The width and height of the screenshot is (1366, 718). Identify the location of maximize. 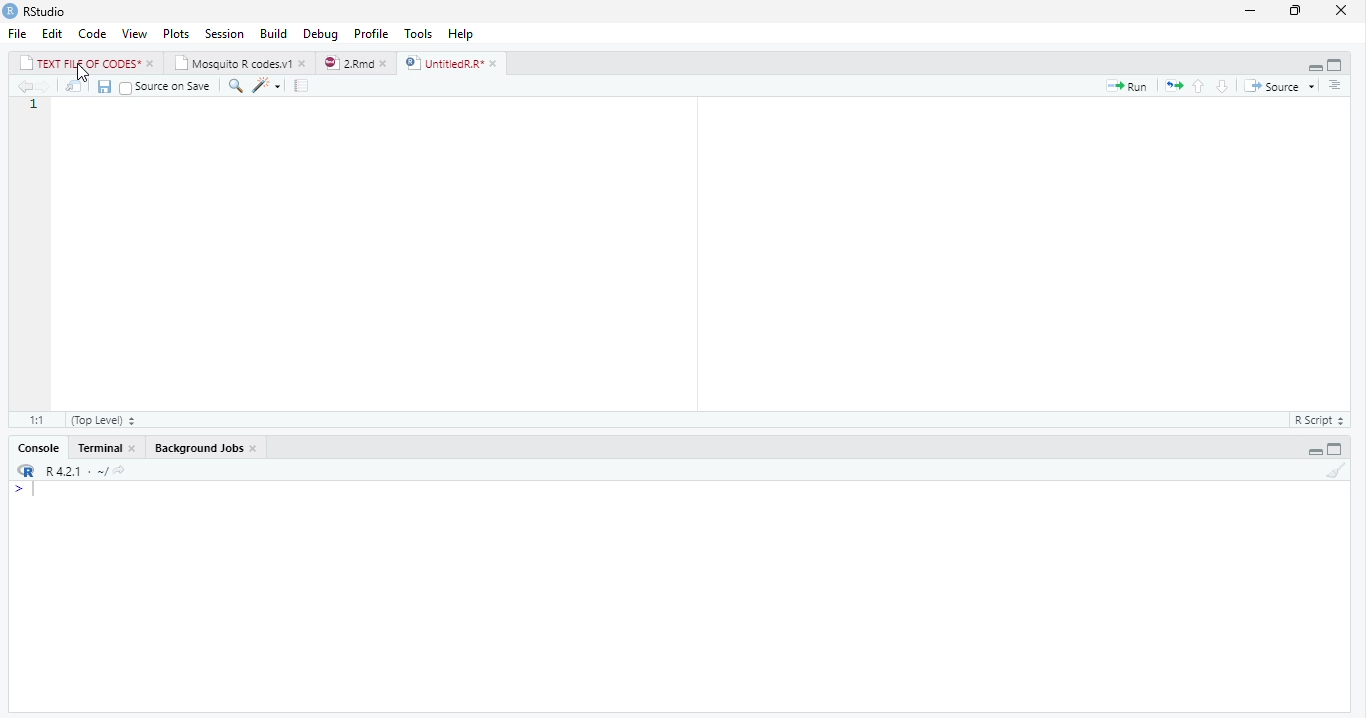
(1334, 450).